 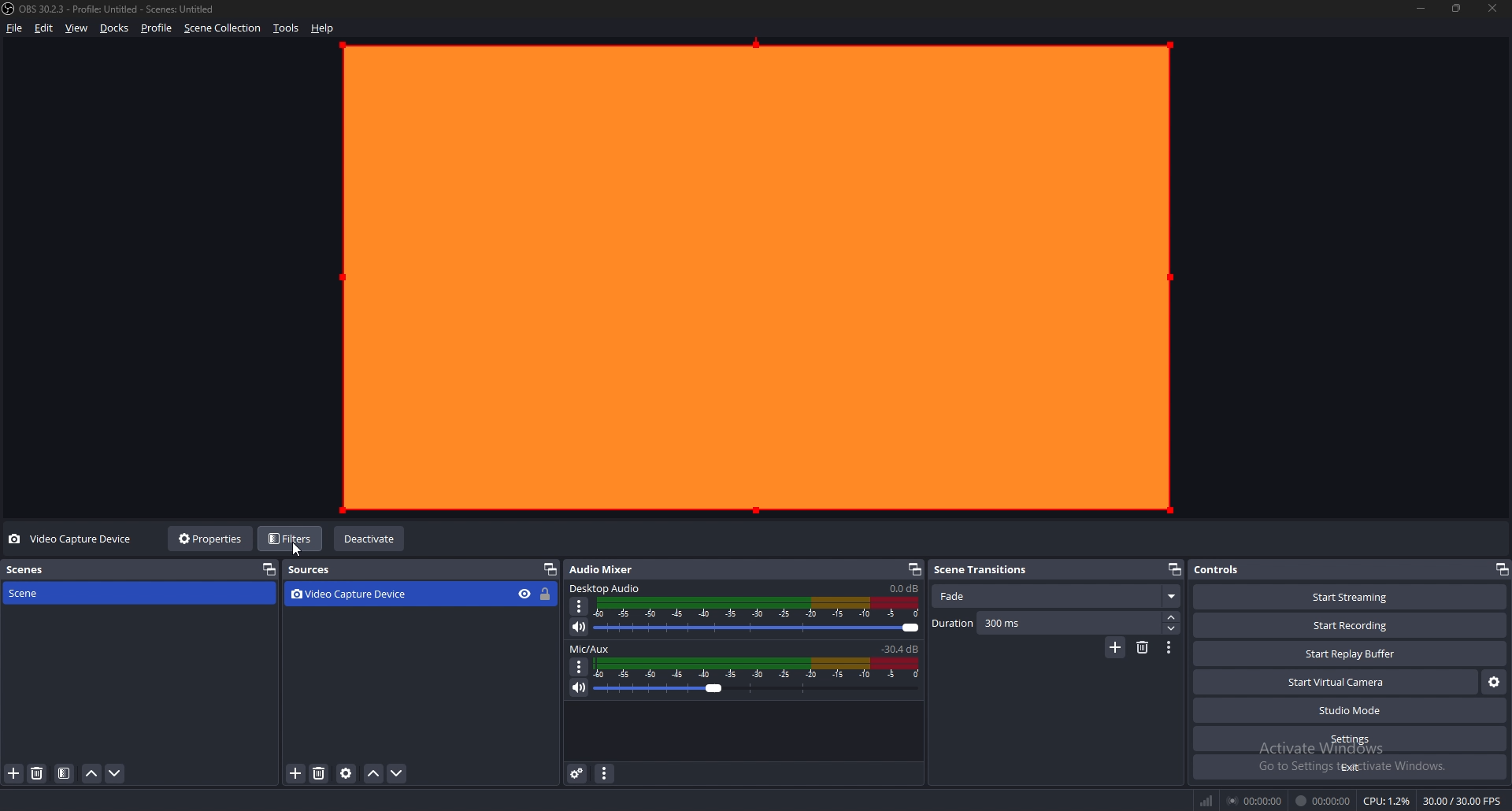 What do you see at coordinates (758, 677) in the screenshot?
I see `volume adjust` at bounding box center [758, 677].